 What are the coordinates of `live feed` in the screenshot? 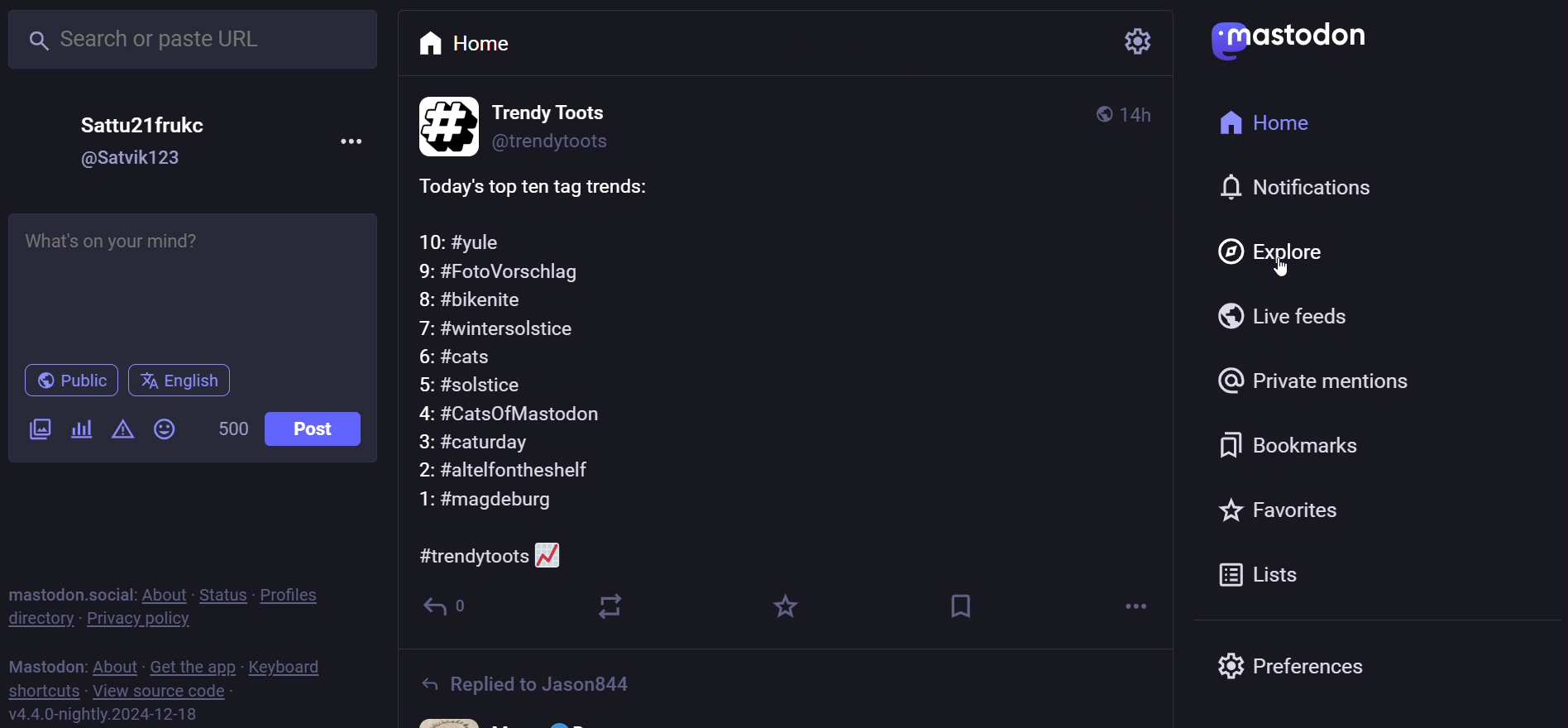 It's located at (1284, 317).